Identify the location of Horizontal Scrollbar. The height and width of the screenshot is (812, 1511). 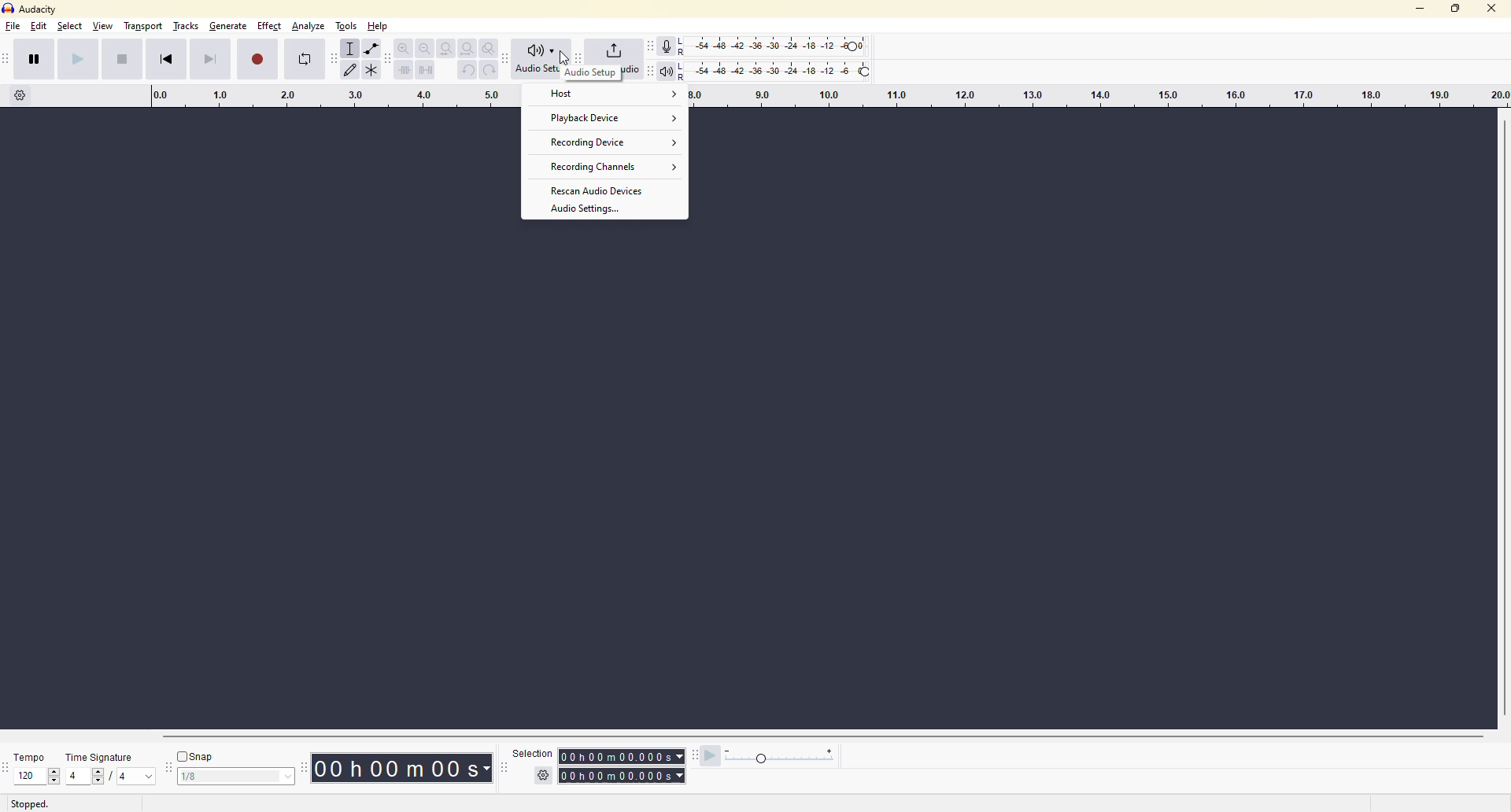
(808, 731).